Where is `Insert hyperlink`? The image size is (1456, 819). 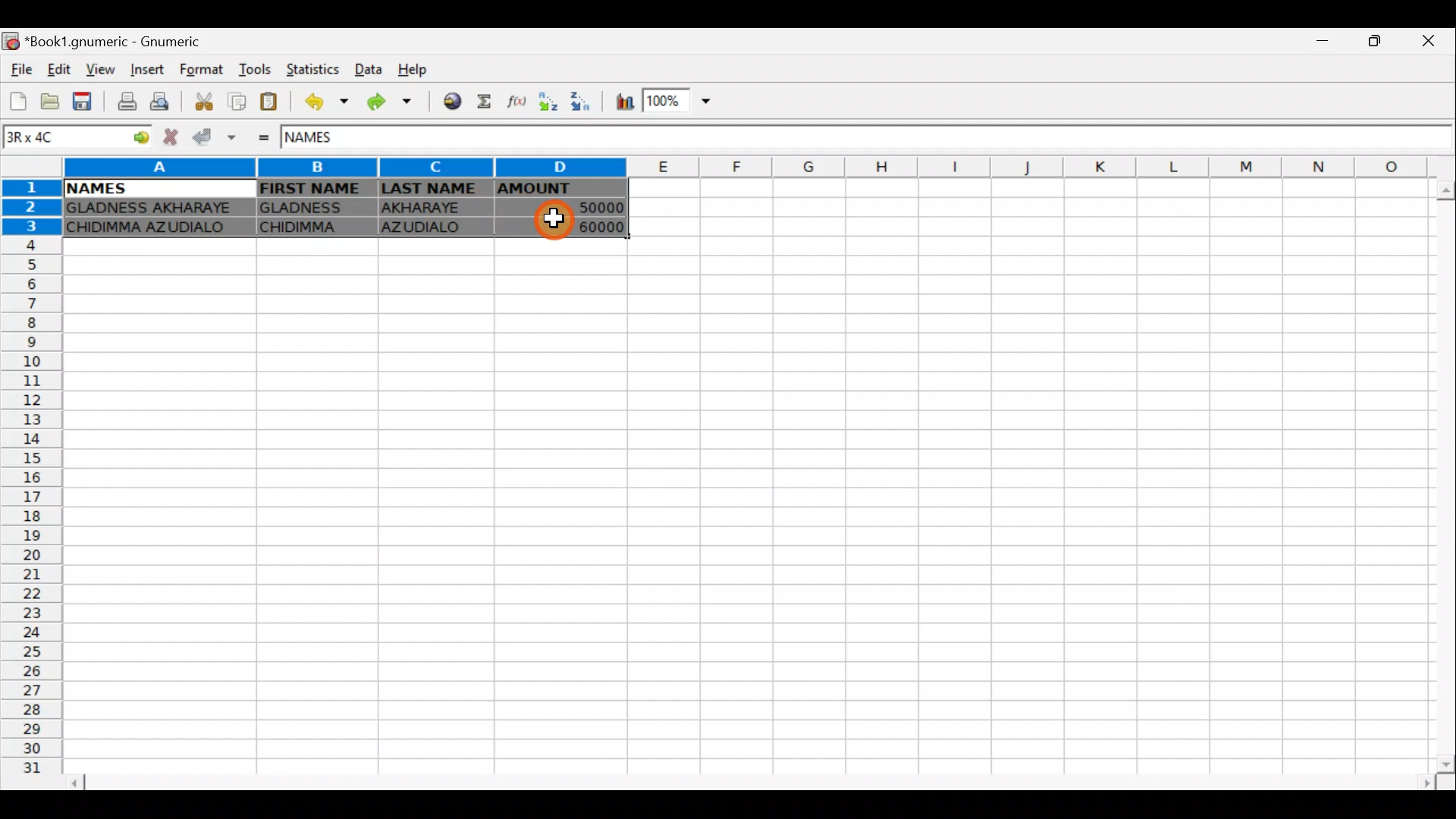 Insert hyperlink is located at coordinates (453, 100).